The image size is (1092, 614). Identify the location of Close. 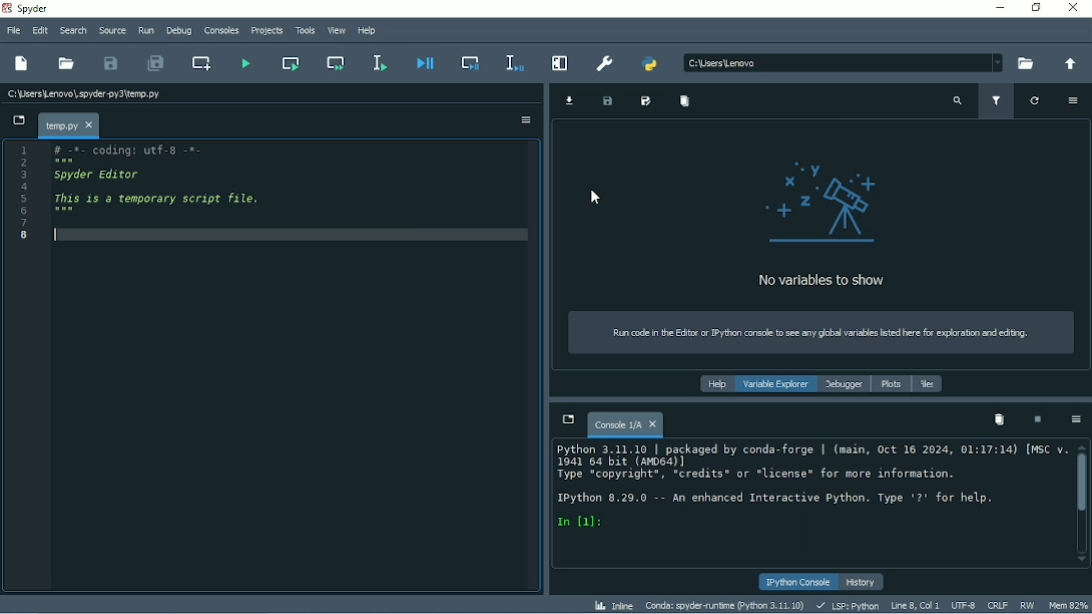
(1074, 8).